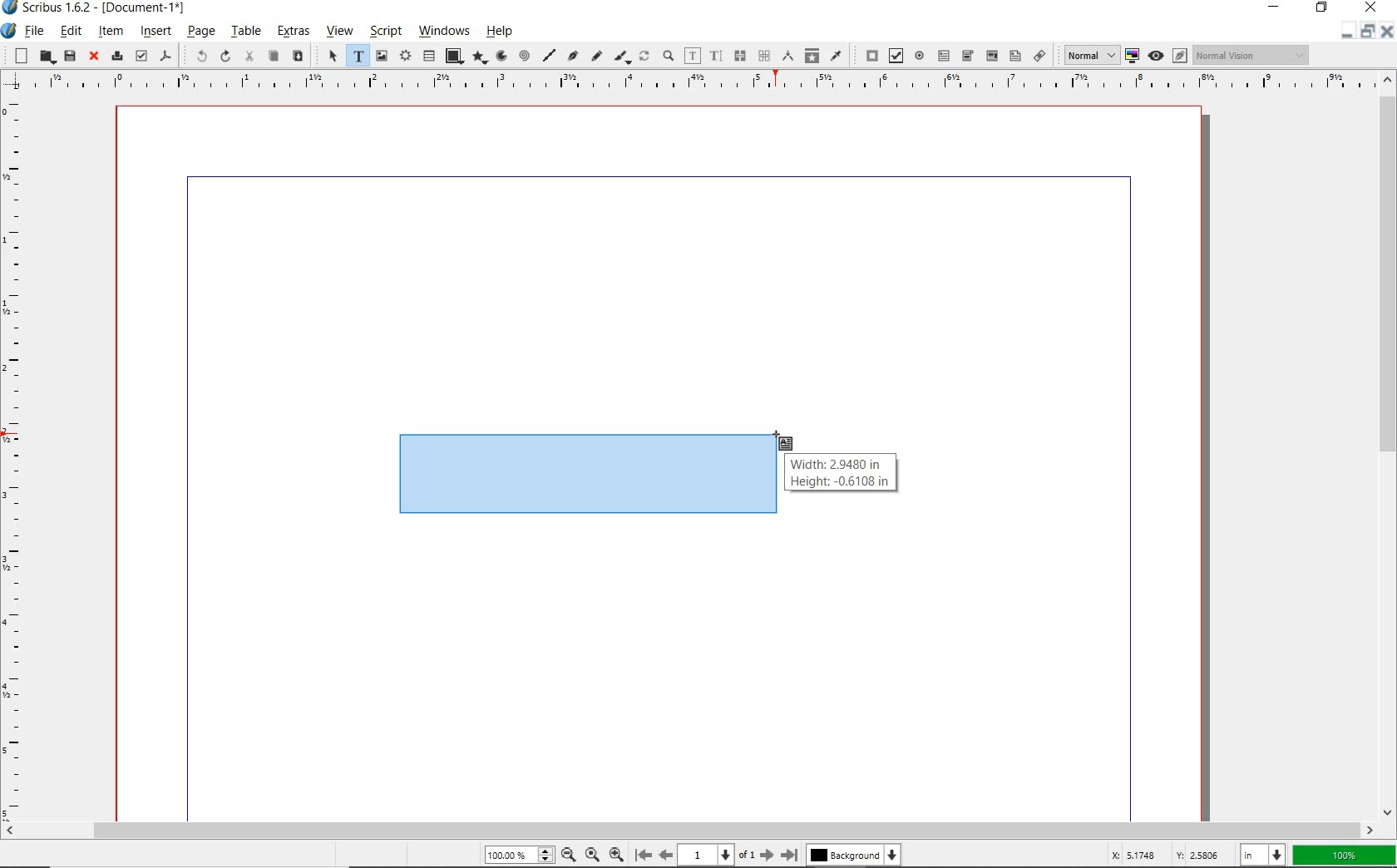  What do you see at coordinates (99, 10) in the screenshot?
I see `Scribus 1.6.2 - [Document-1*]` at bounding box center [99, 10].